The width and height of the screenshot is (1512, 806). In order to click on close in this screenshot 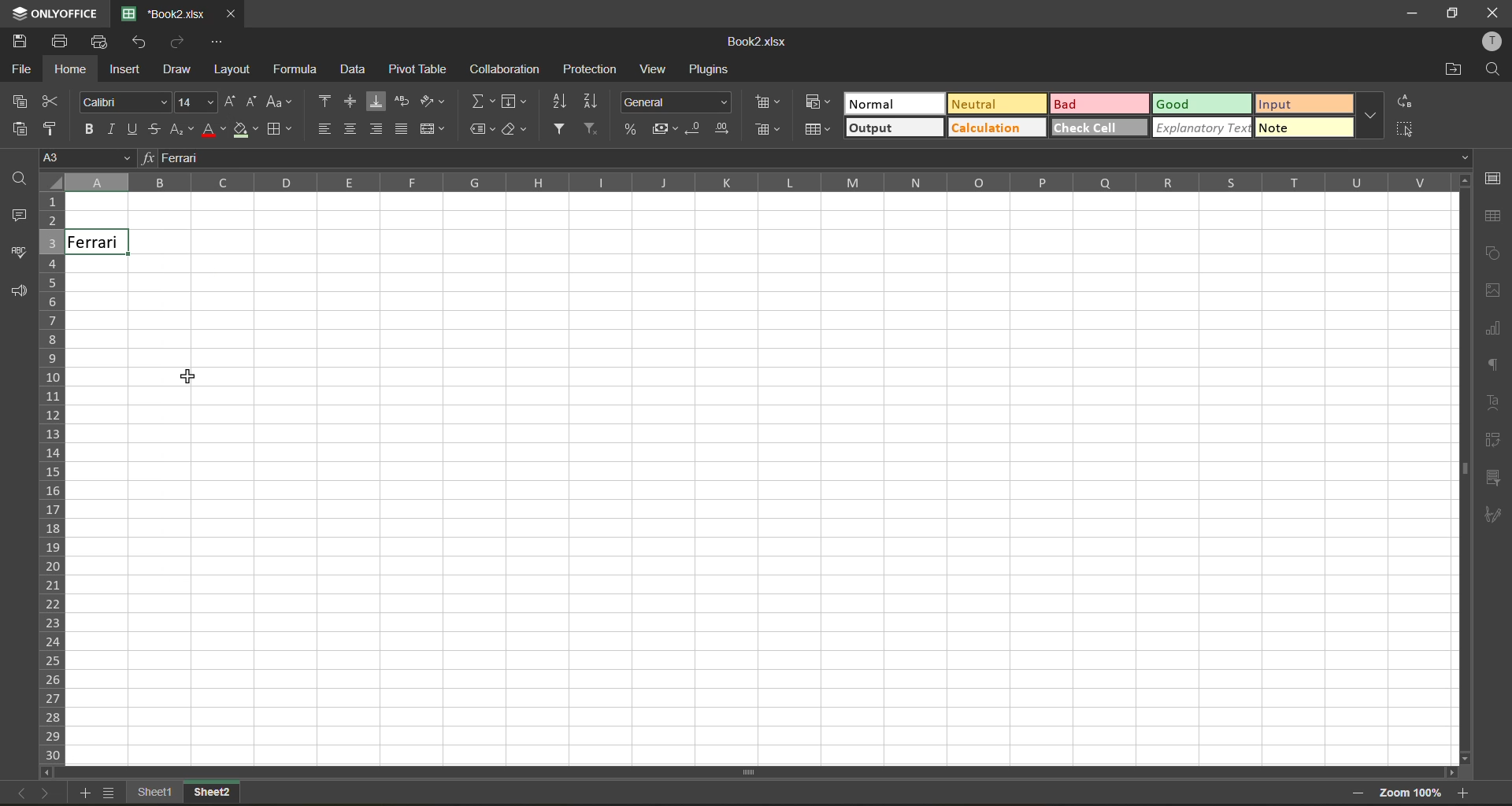, I will do `click(1496, 10)`.